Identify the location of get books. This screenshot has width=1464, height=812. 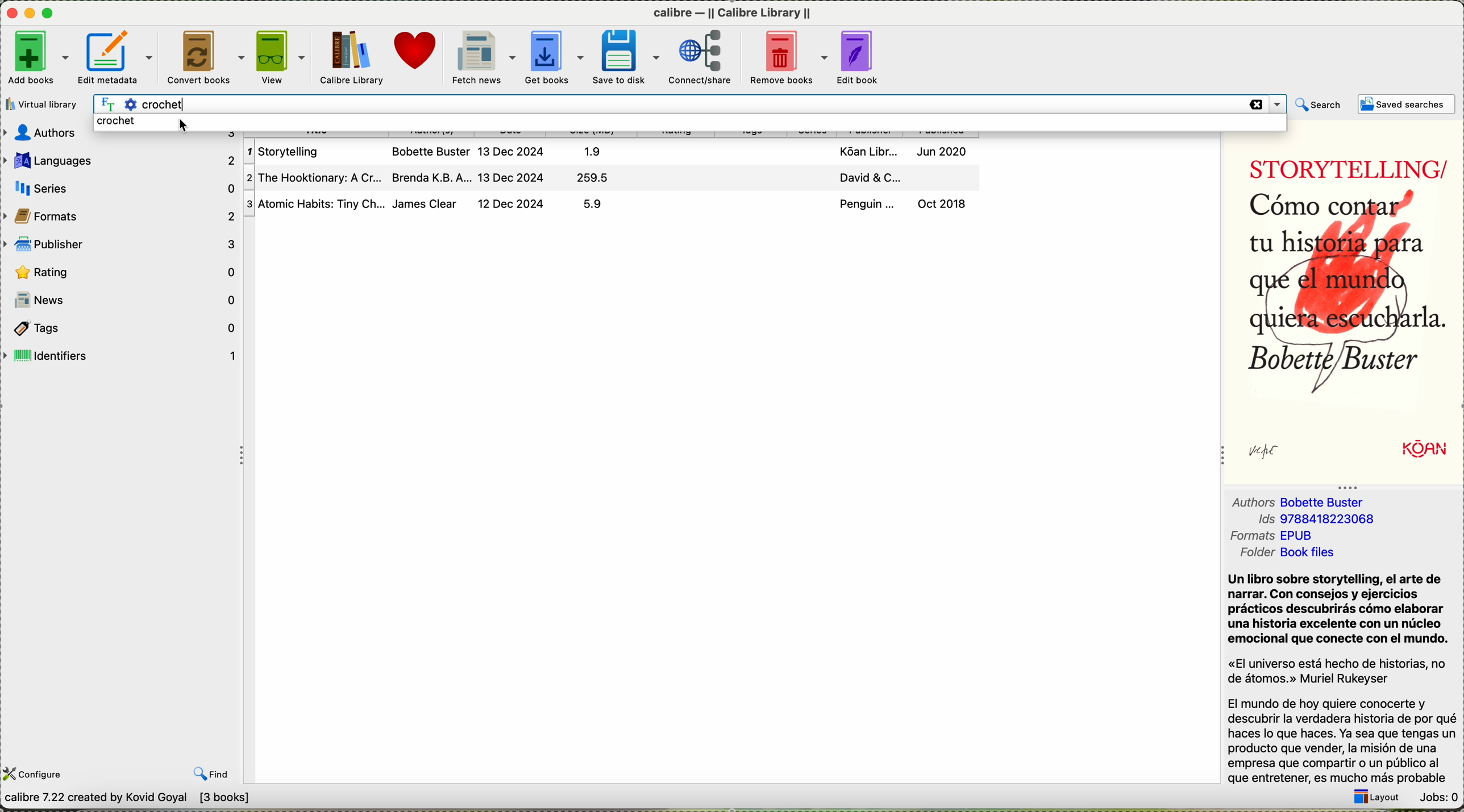
(554, 55).